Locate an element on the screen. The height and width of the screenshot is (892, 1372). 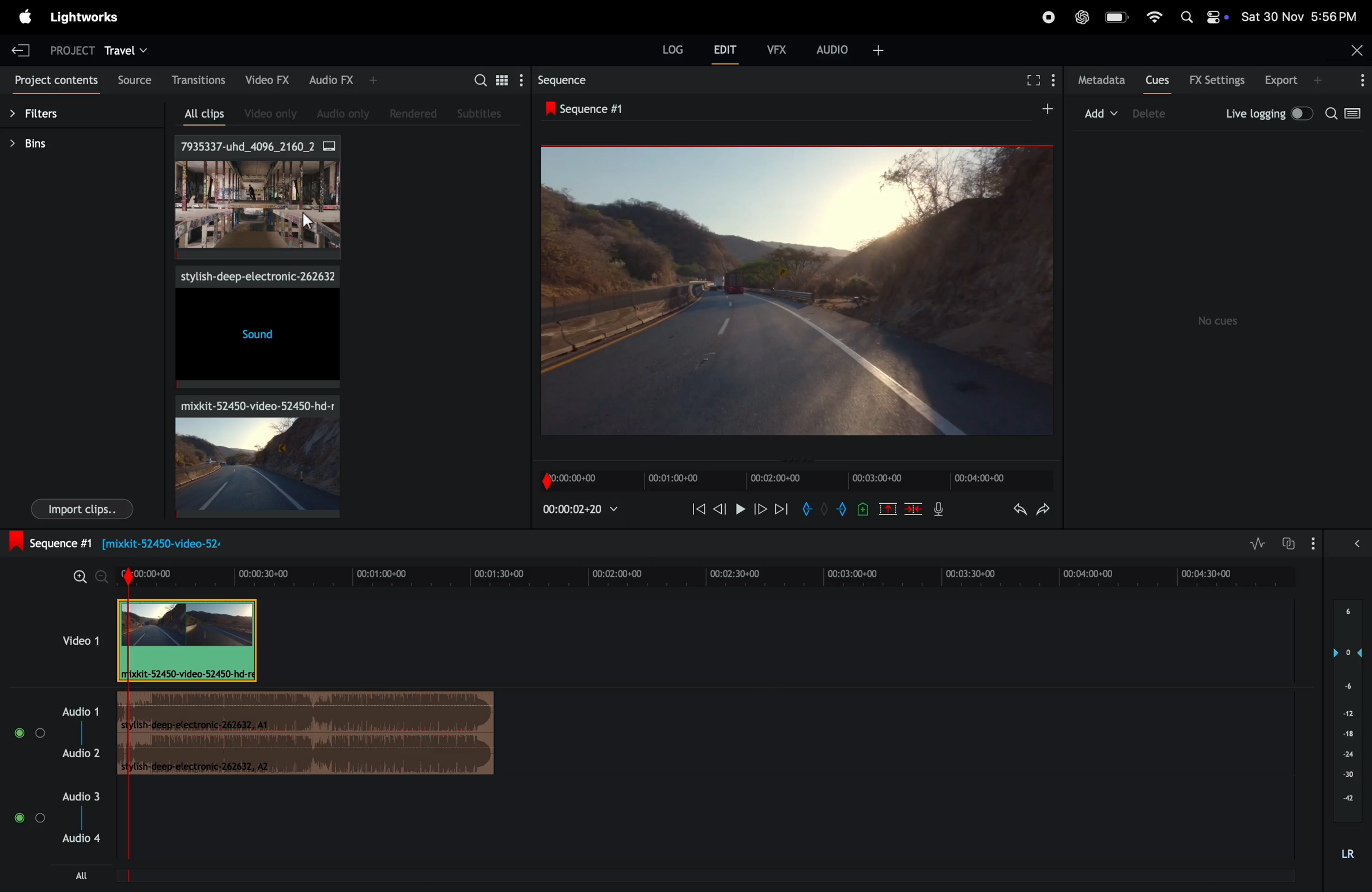
redo is located at coordinates (1043, 511).